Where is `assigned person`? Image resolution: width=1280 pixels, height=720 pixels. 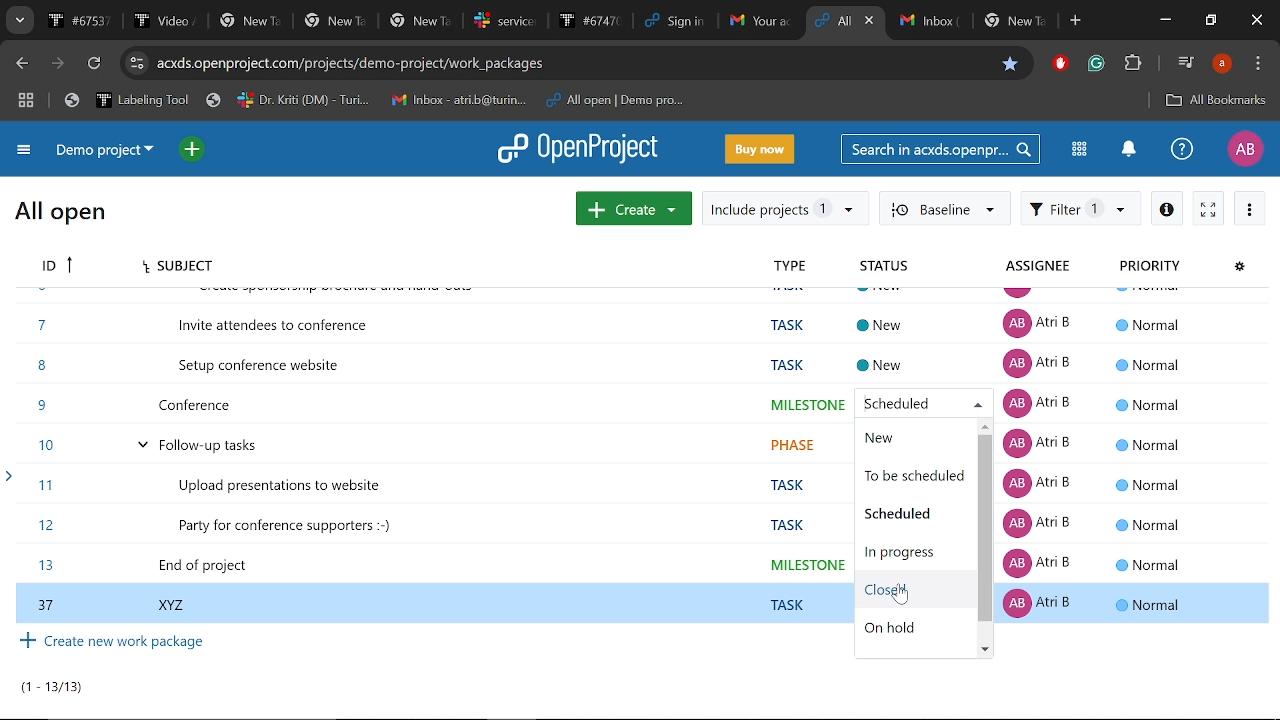 assigned person is located at coordinates (1032, 459).